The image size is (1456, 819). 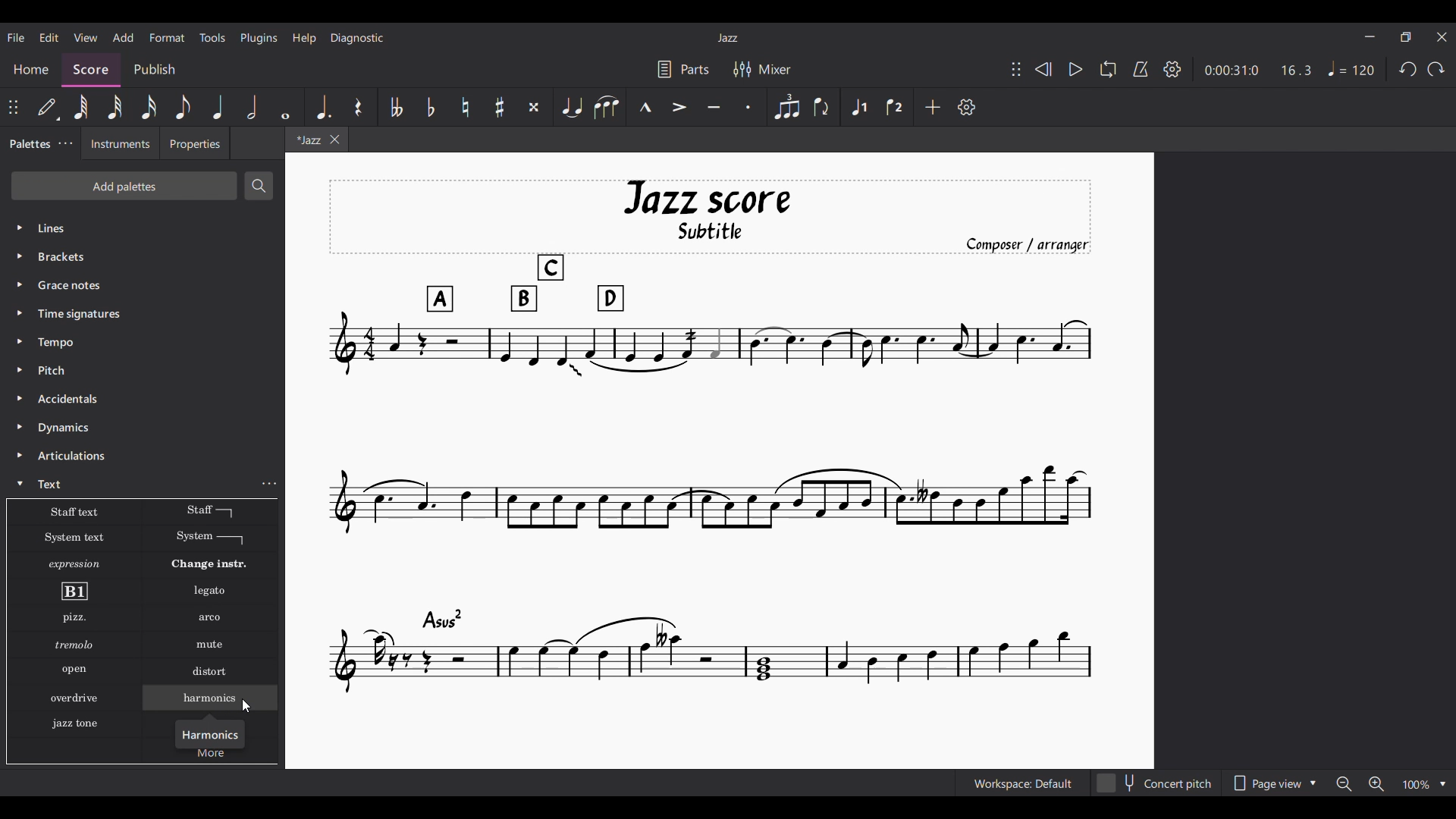 What do you see at coordinates (858, 107) in the screenshot?
I see `Voice 1` at bounding box center [858, 107].